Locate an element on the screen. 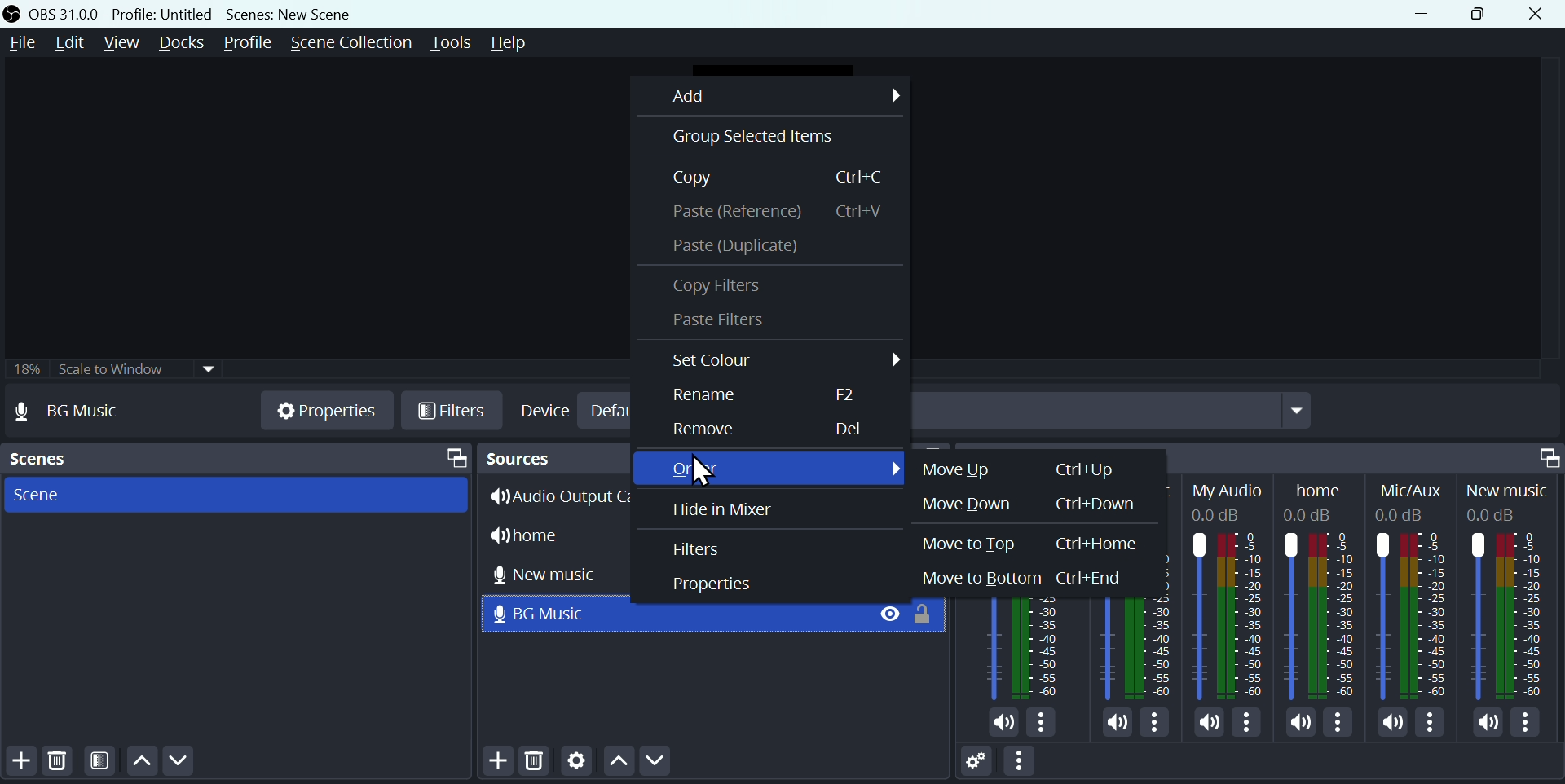 This screenshot has width=1565, height=784. Paste filter is located at coordinates (719, 324).